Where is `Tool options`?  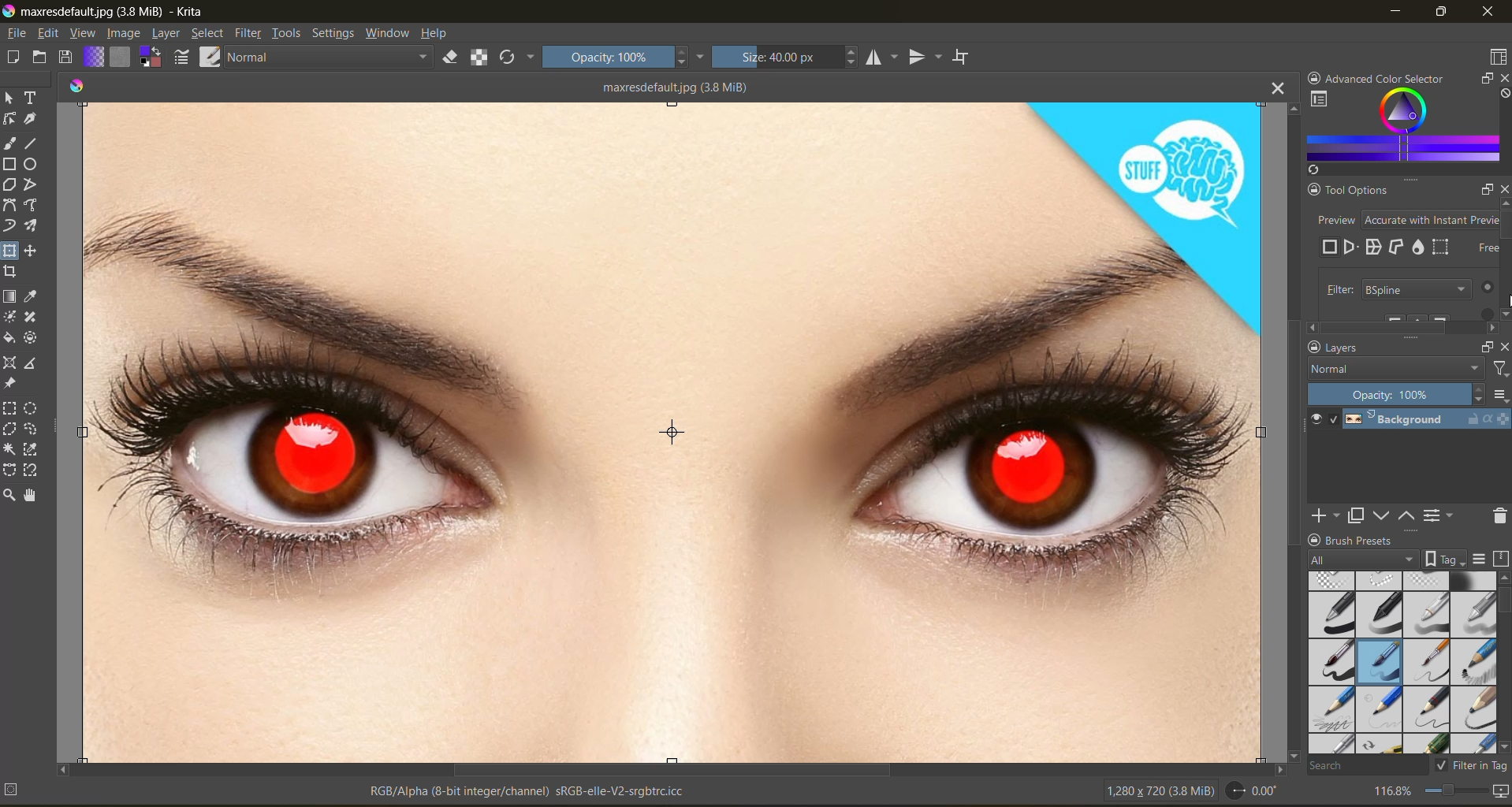
Tool options is located at coordinates (1372, 188).